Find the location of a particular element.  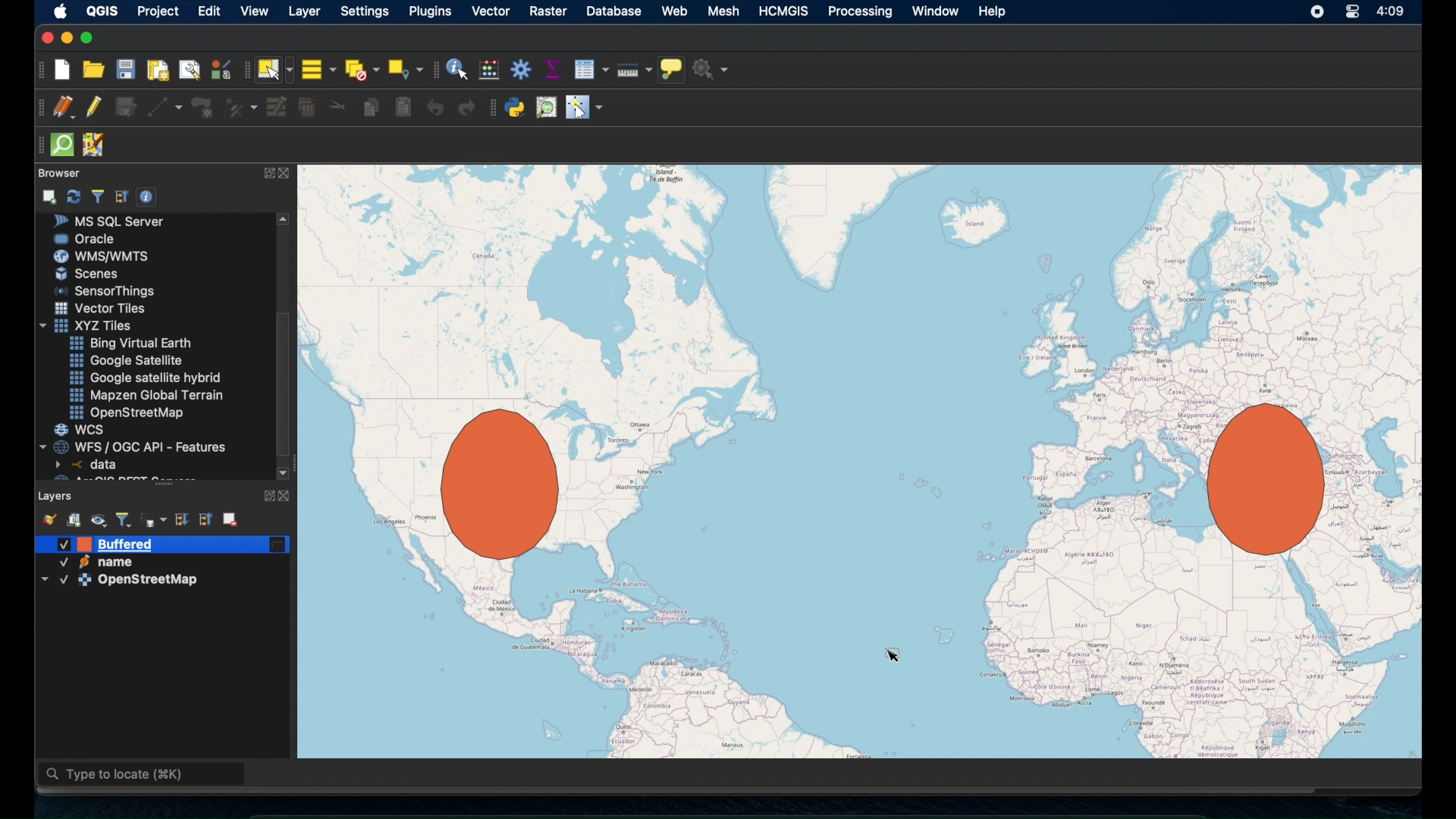

bing virtual earth is located at coordinates (129, 344).